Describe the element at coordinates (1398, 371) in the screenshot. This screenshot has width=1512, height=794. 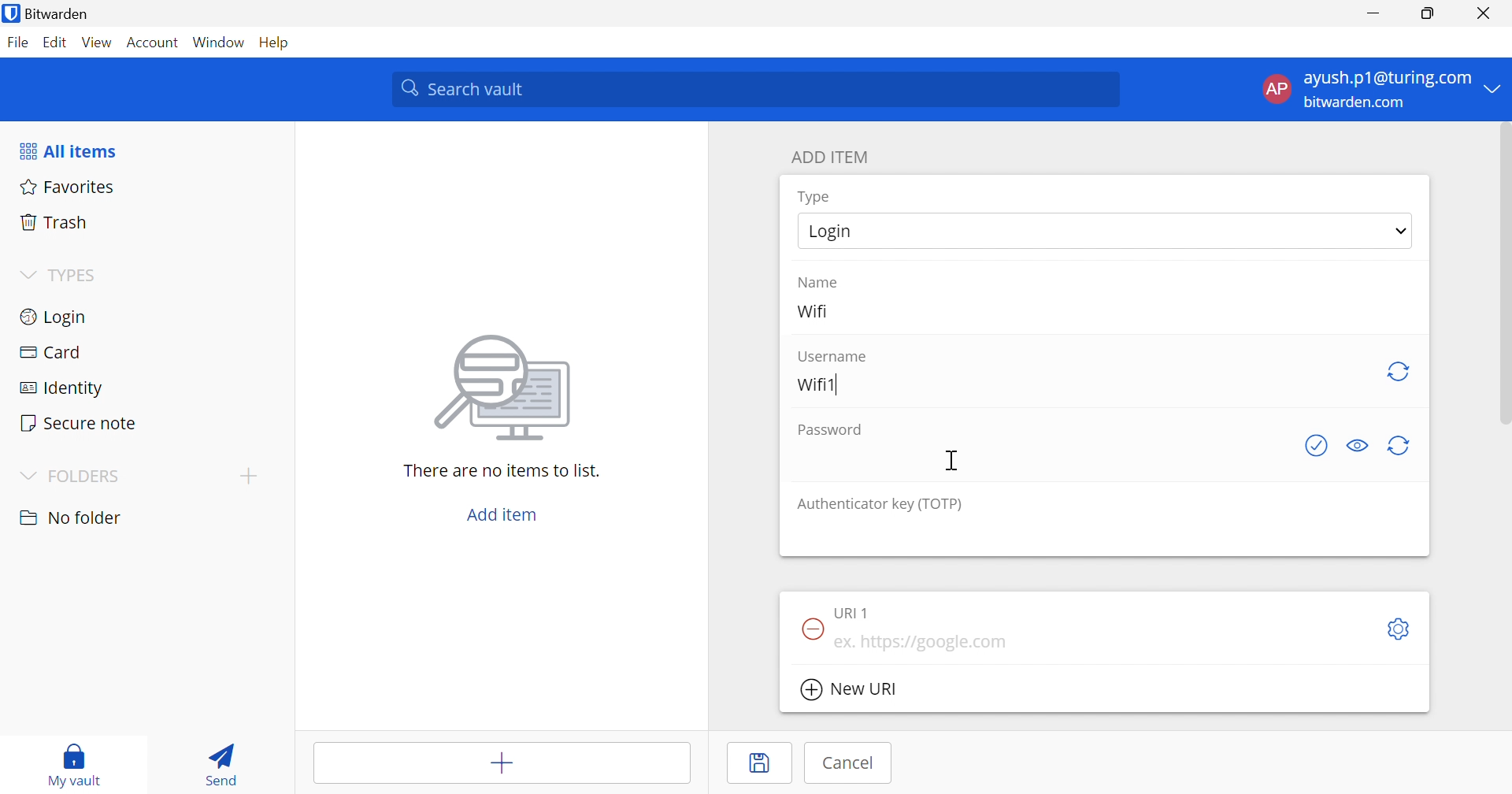
I see `Regenerate username` at that location.